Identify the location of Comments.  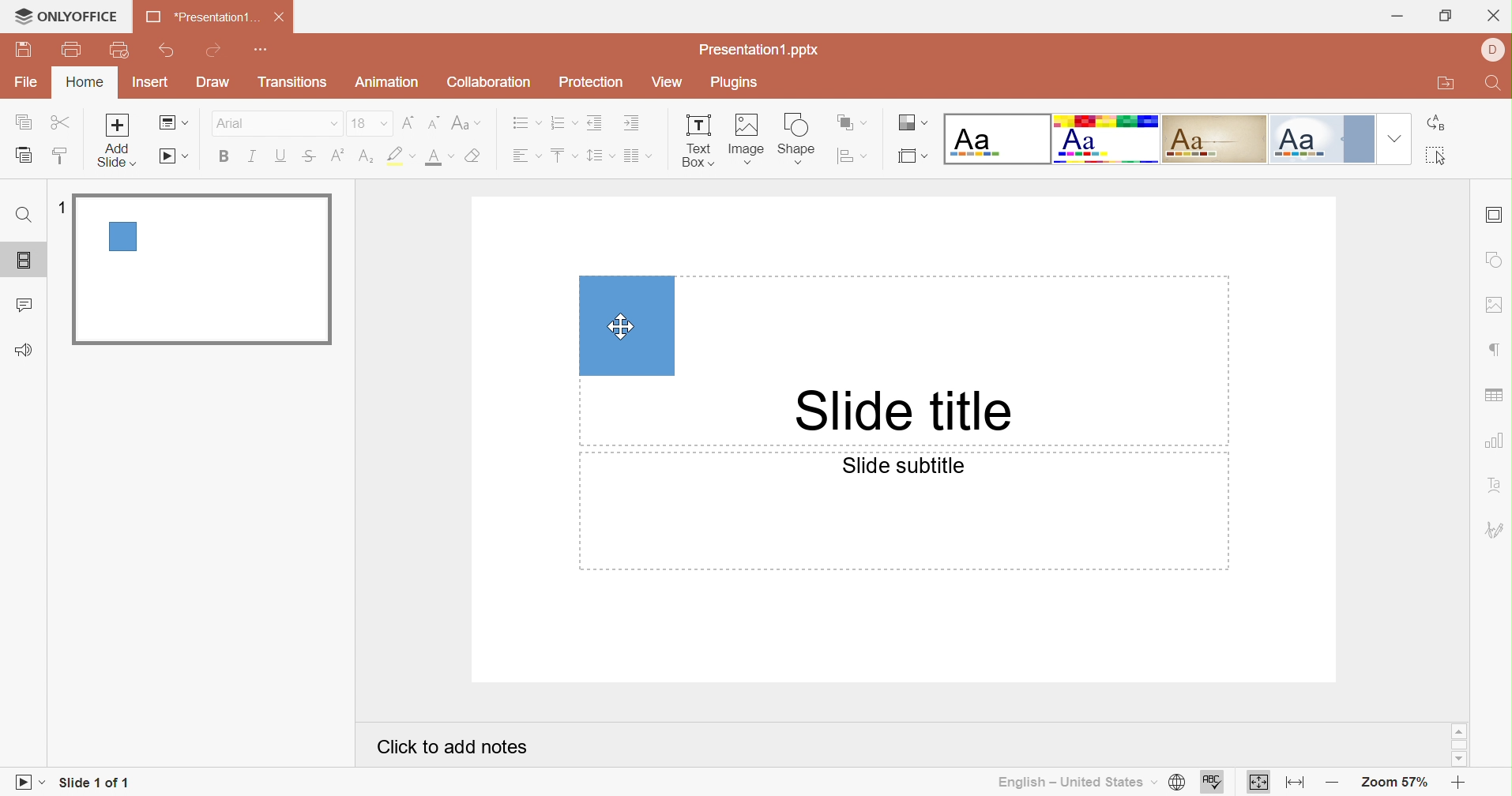
(23, 307).